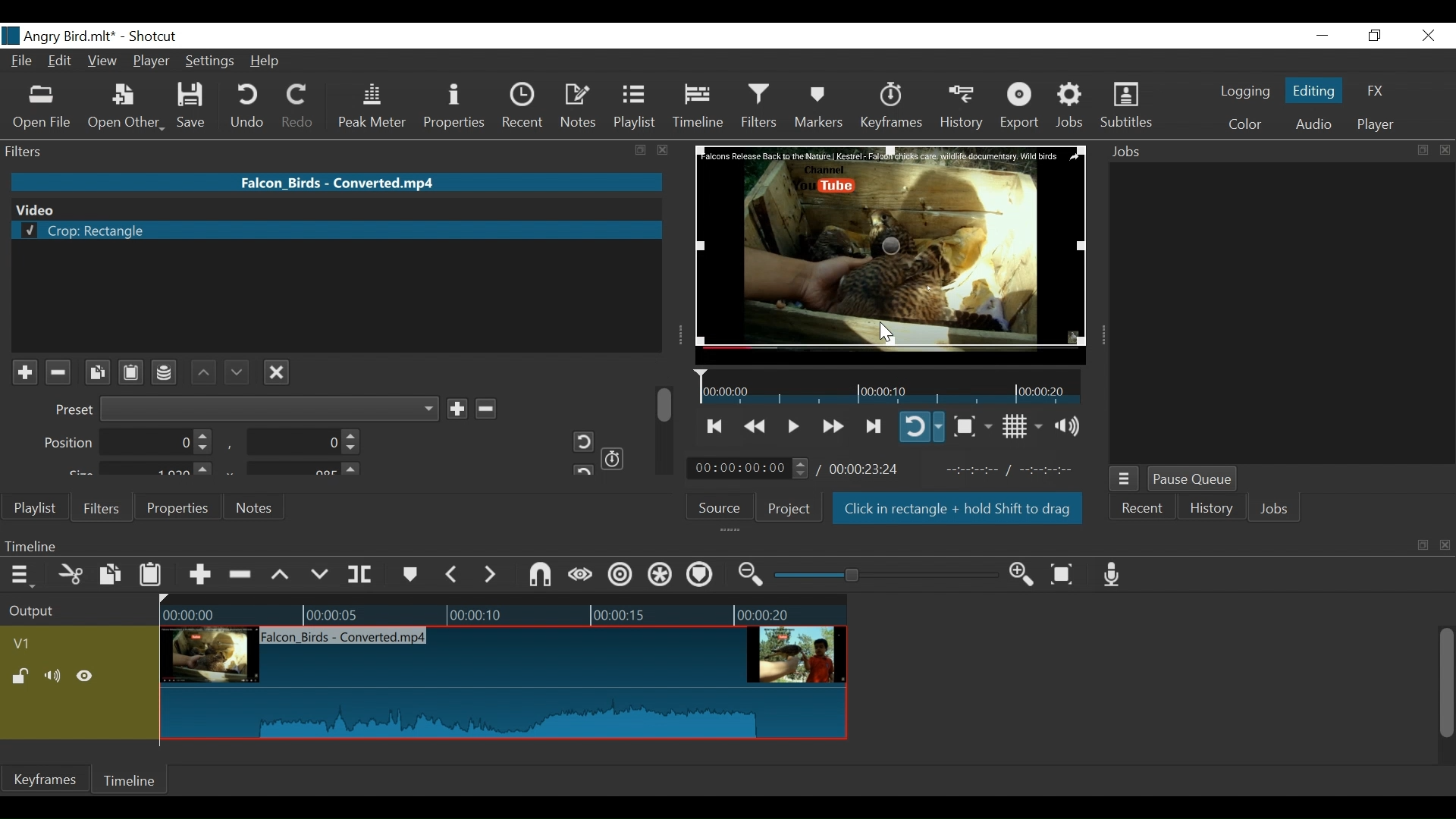  What do you see at coordinates (45, 779) in the screenshot?
I see `Keyframes` at bounding box center [45, 779].